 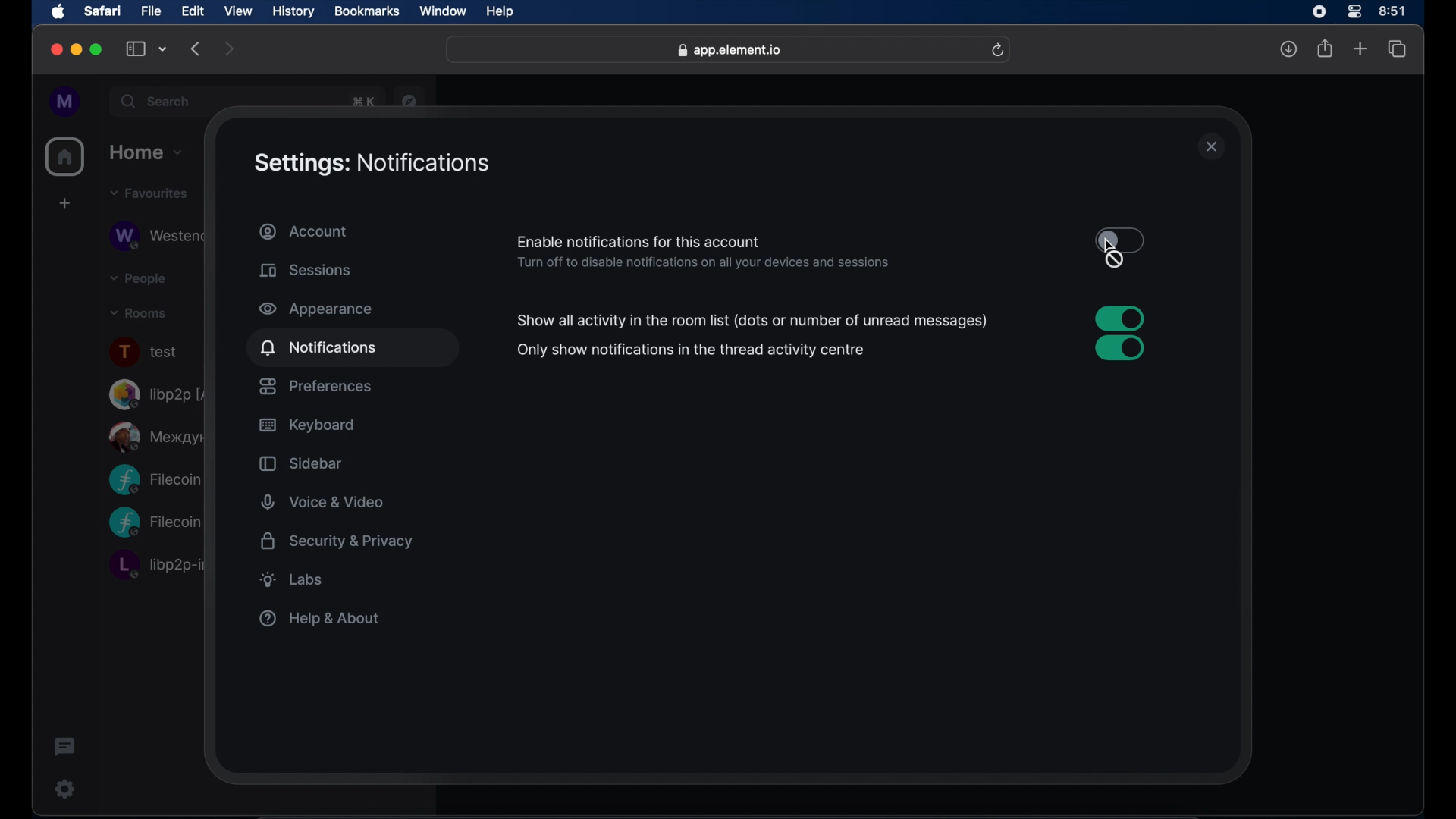 What do you see at coordinates (315, 387) in the screenshot?
I see `preferences` at bounding box center [315, 387].